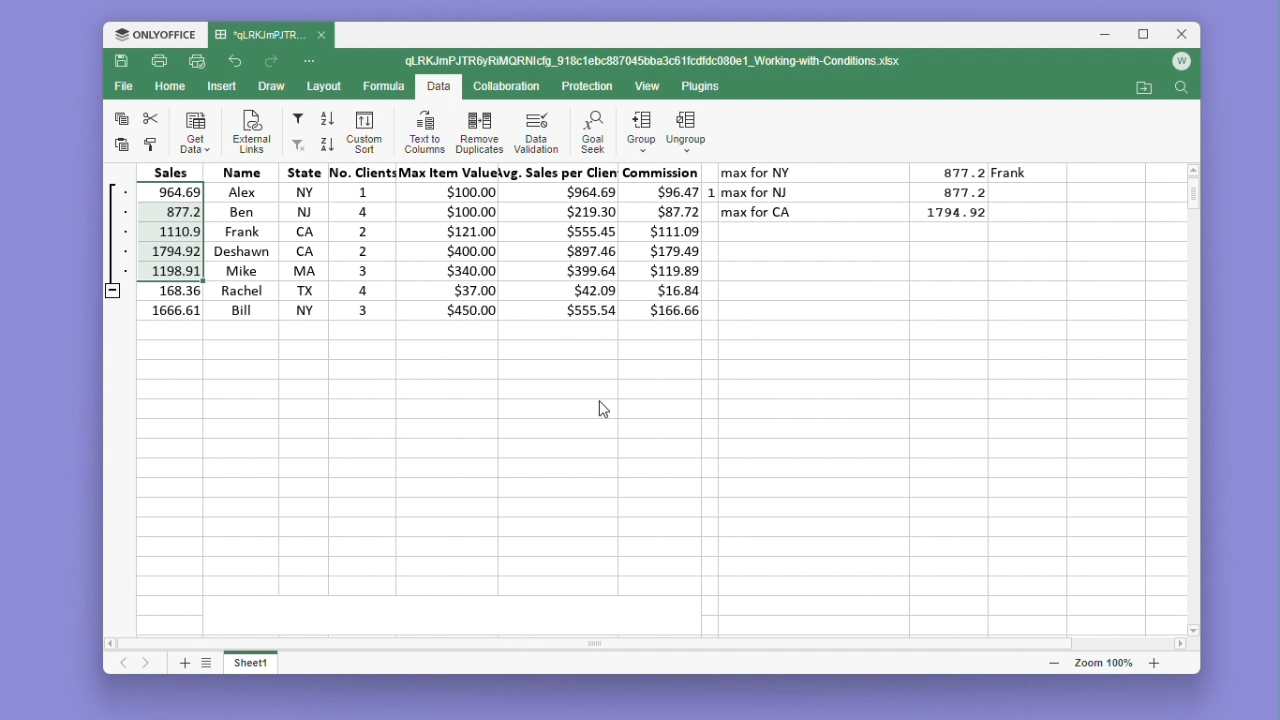  I want to click on Headers, so click(404, 172).